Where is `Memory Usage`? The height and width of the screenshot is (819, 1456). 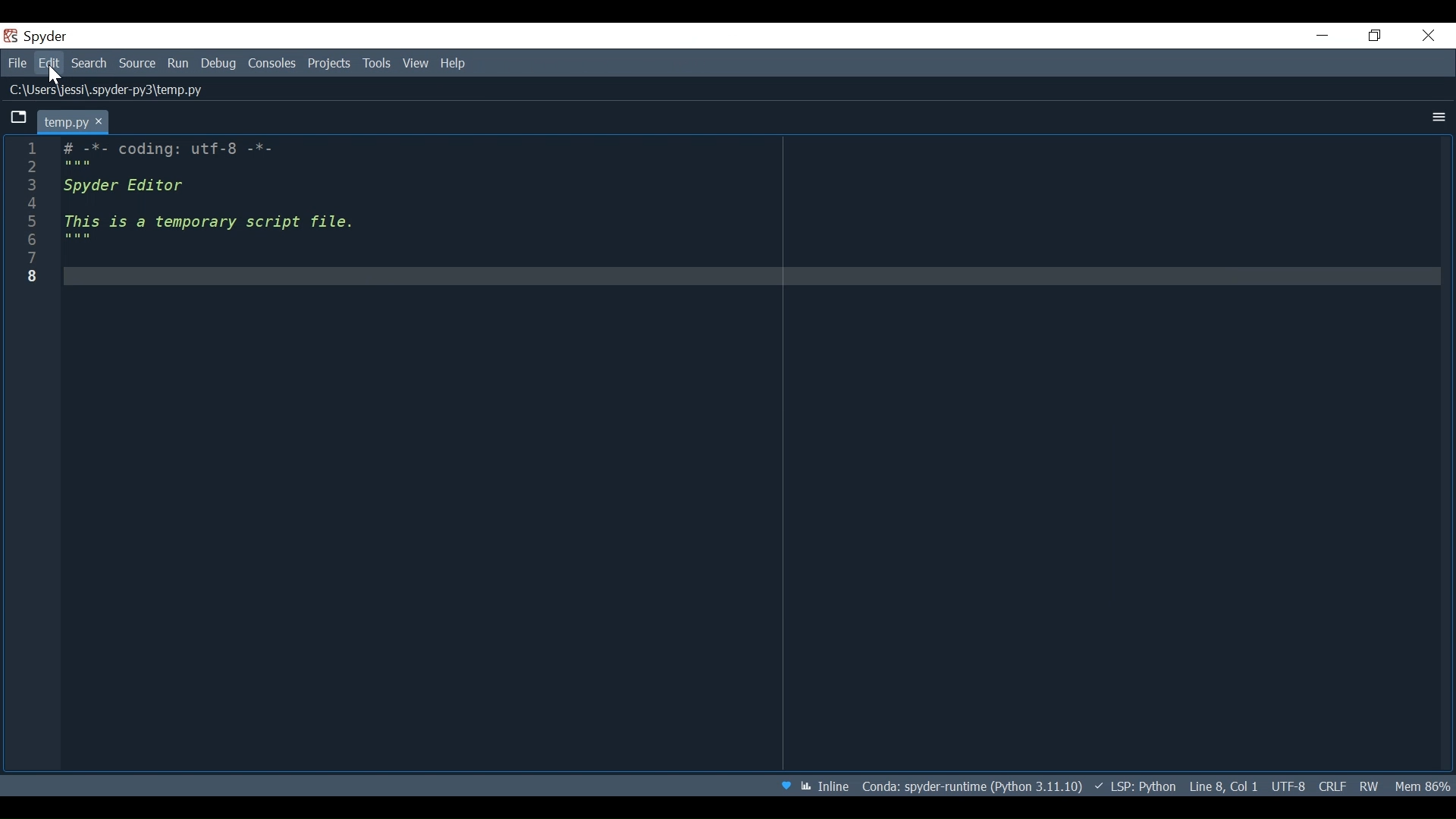
Memory Usage is located at coordinates (1422, 786).